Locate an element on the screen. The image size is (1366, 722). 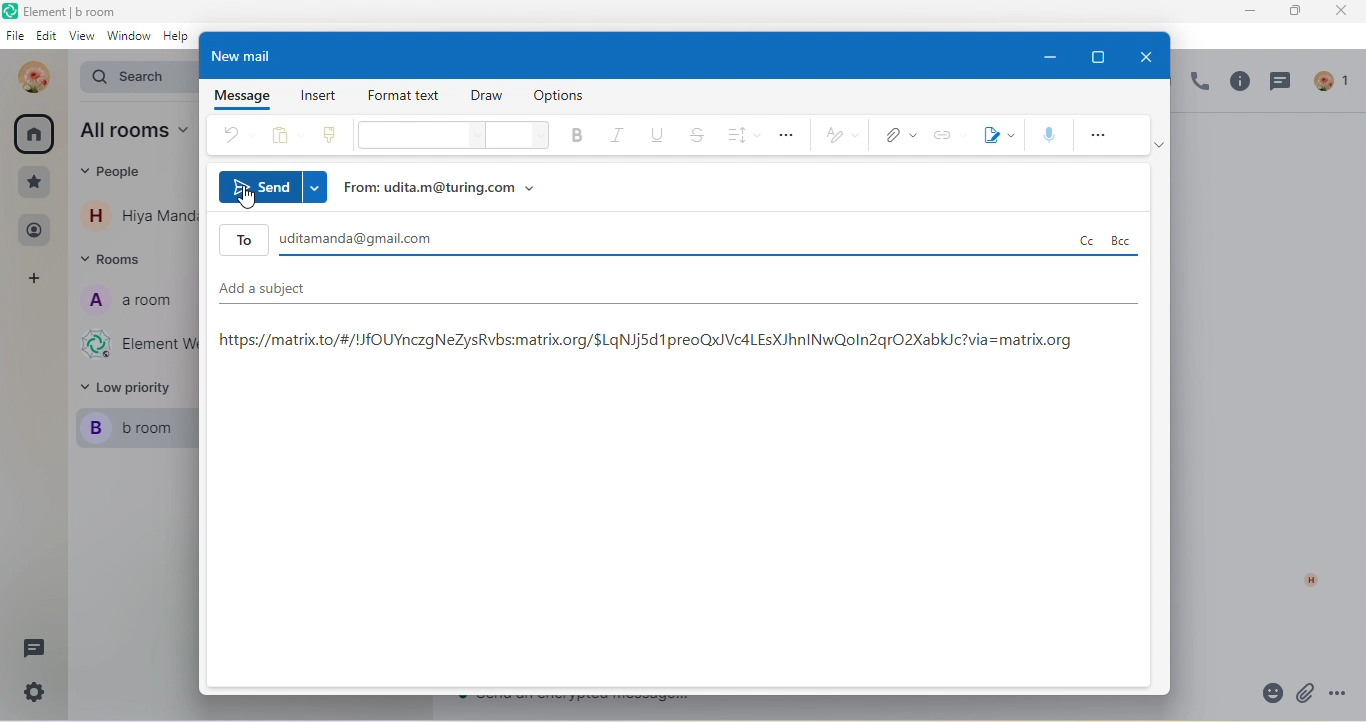
link is located at coordinates (946, 137).